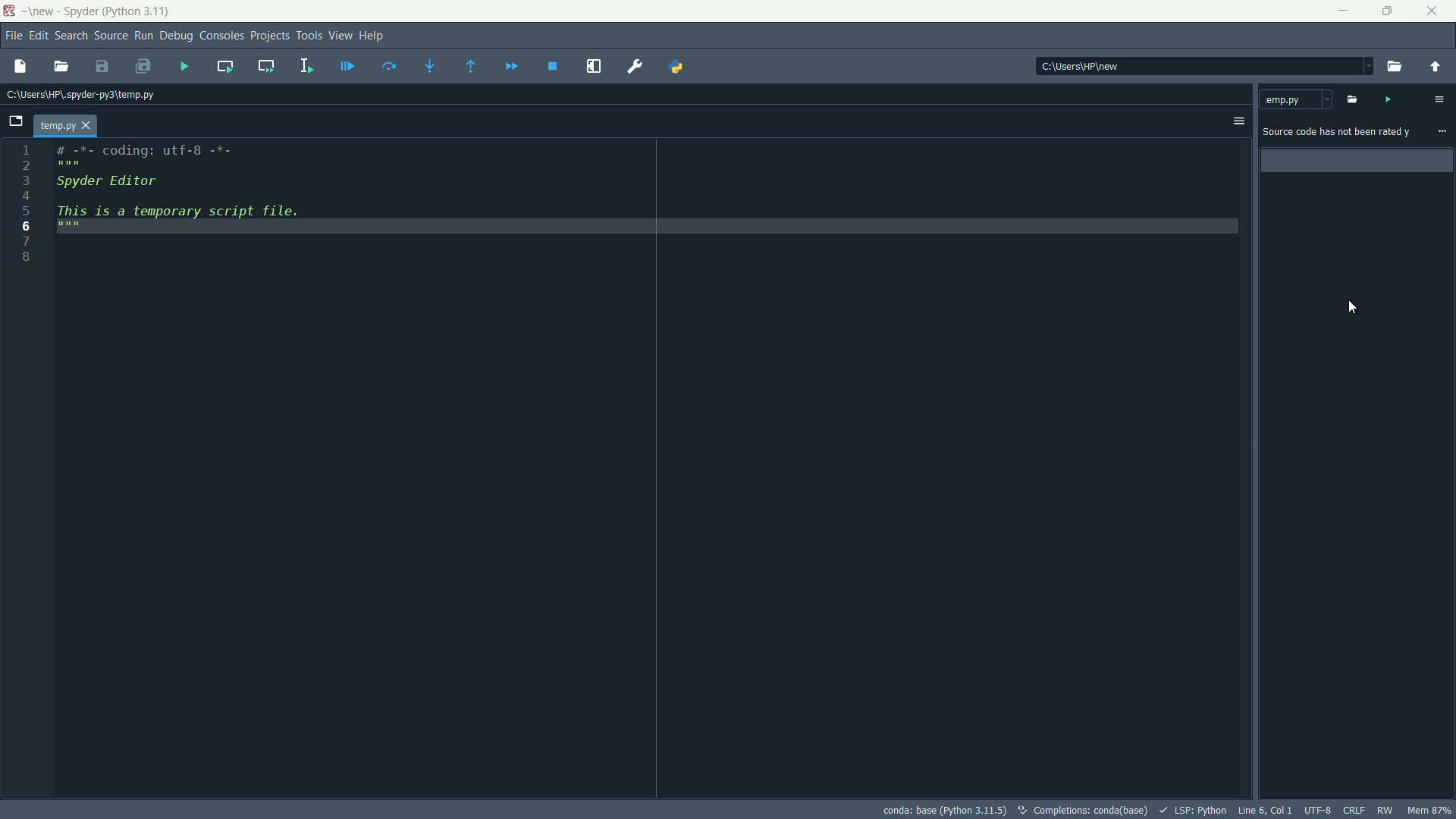 The image size is (1456, 819). I want to click on edit menu, so click(38, 37).